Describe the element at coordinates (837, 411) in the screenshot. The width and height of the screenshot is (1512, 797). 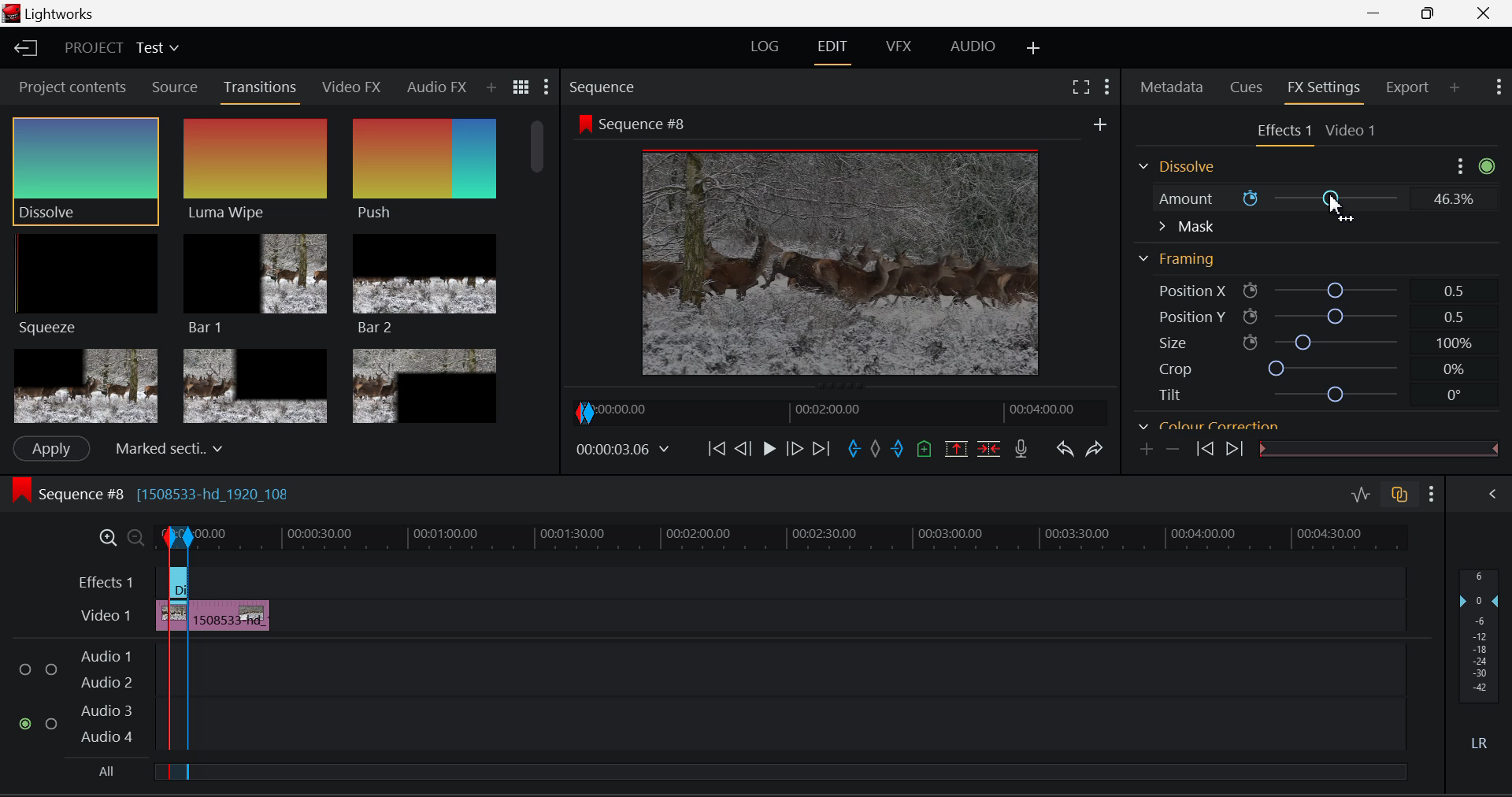
I see `Project Timeline Navigator` at that location.